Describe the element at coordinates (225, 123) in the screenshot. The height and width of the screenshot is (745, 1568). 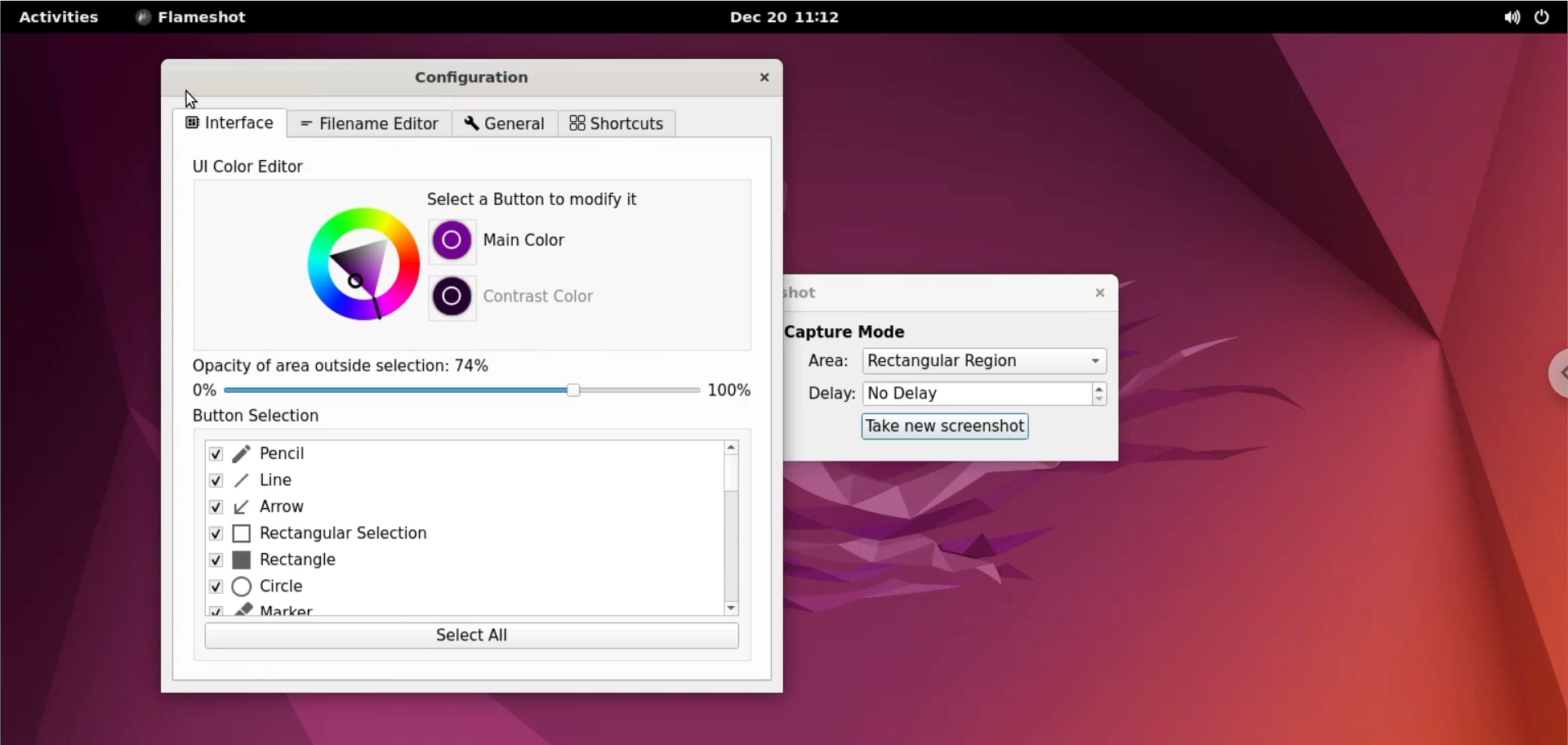
I see `interface` at that location.